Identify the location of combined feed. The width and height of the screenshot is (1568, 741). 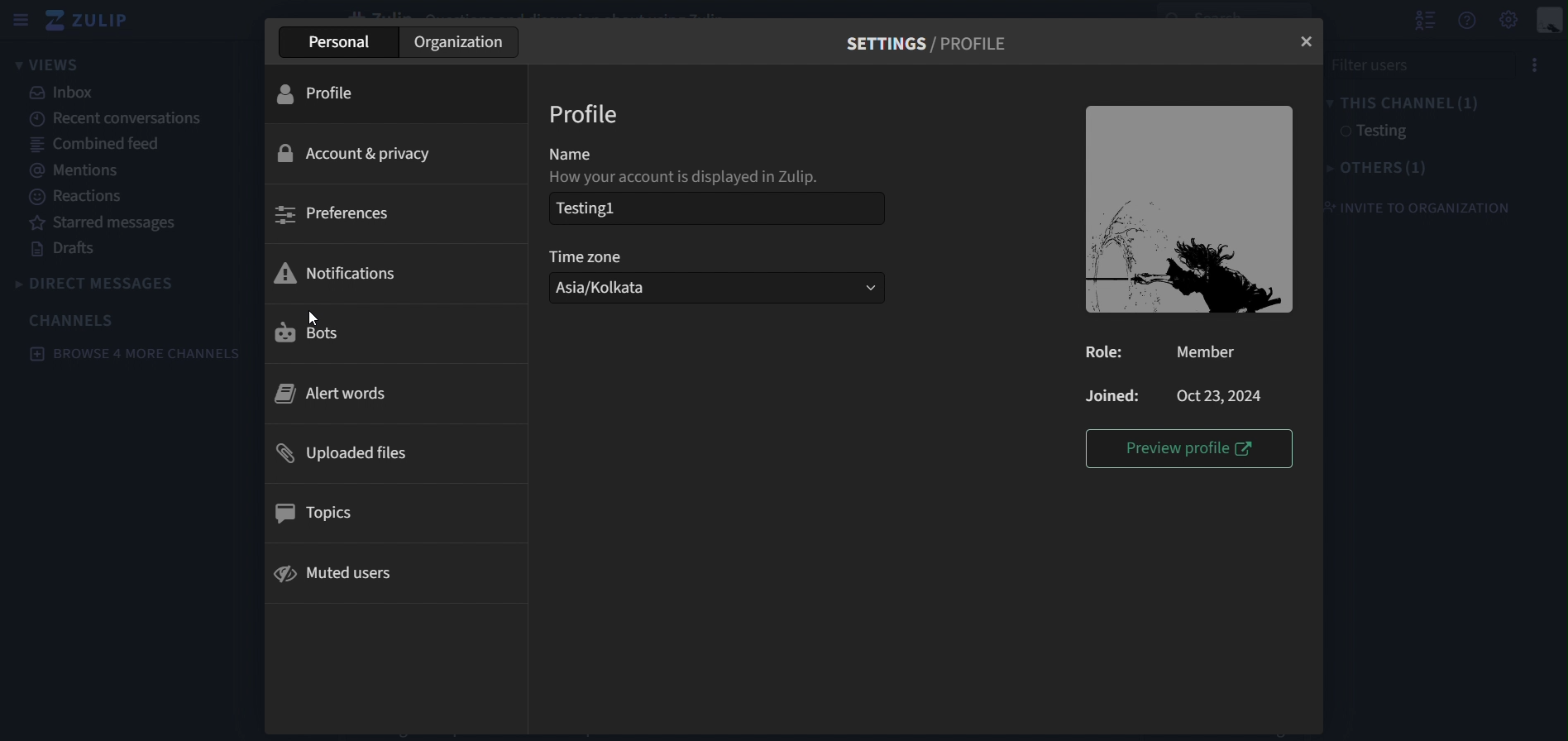
(95, 142).